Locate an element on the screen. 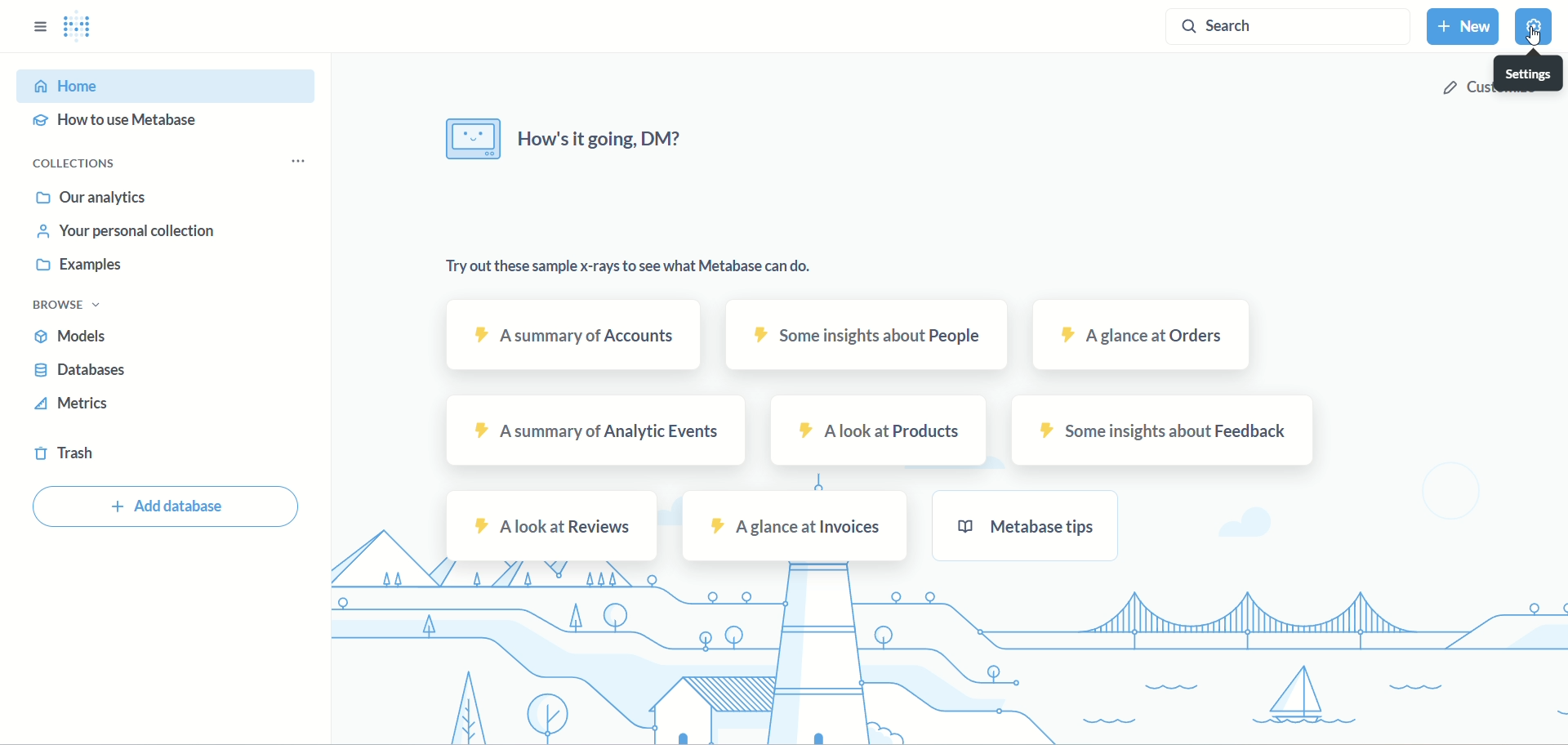 This screenshot has width=1568, height=745. browse is located at coordinates (73, 308).